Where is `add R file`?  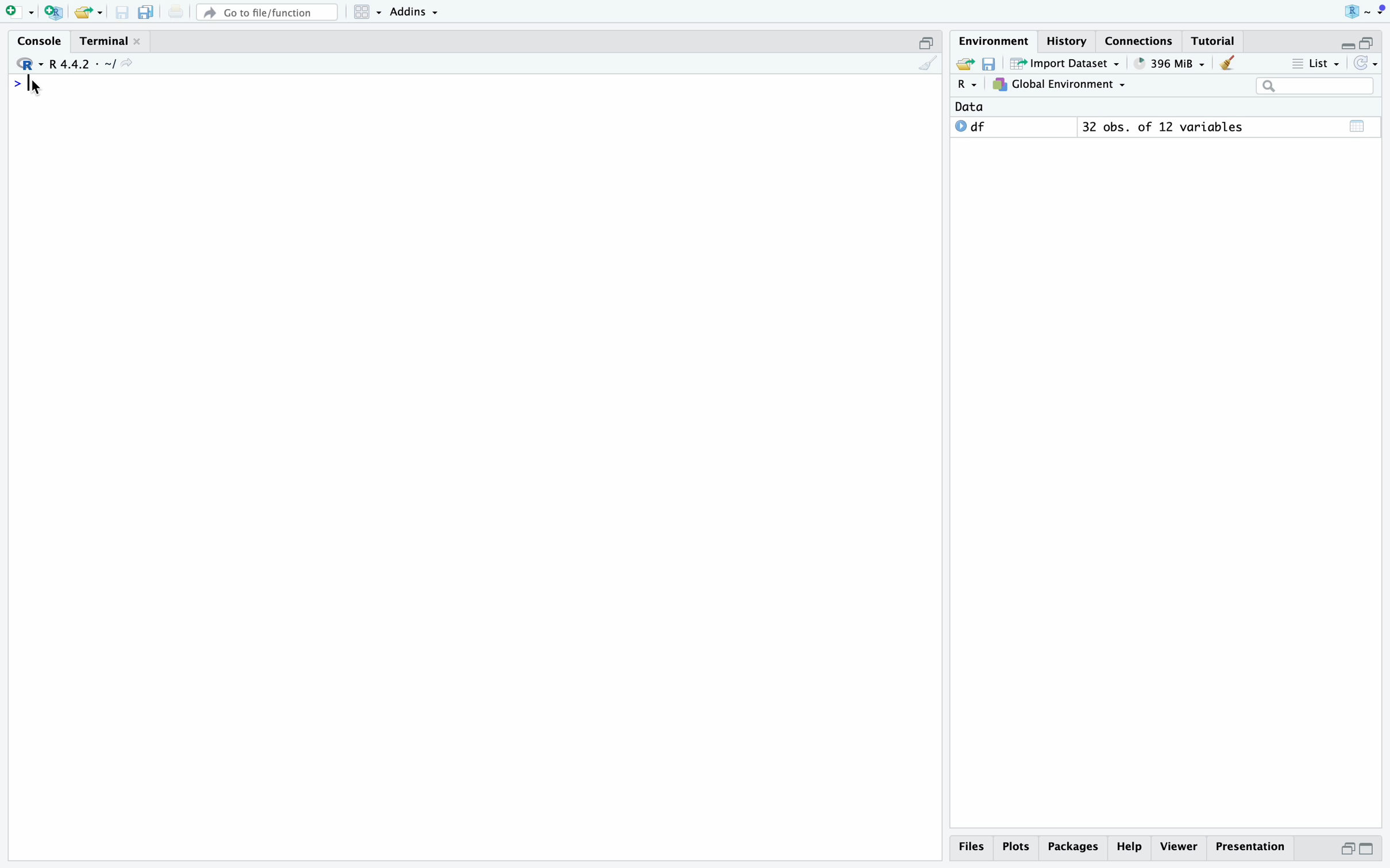
add R file is located at coordinates (54, 12).